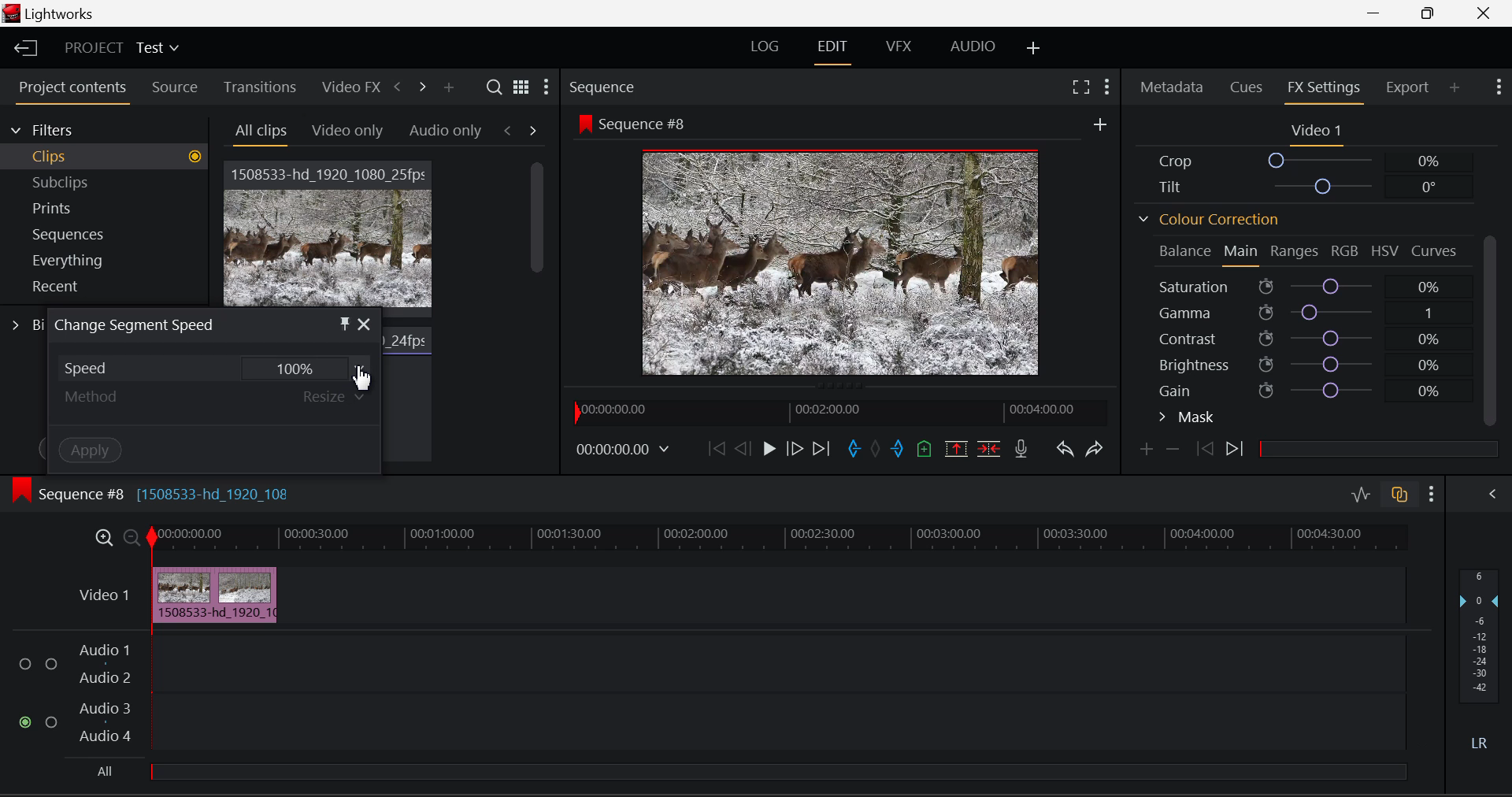 The width and height of the screenshot is (1512, 797). Describe the element at coordinates (1303, 313) in the screenshot. I see `Gamma` at that location.